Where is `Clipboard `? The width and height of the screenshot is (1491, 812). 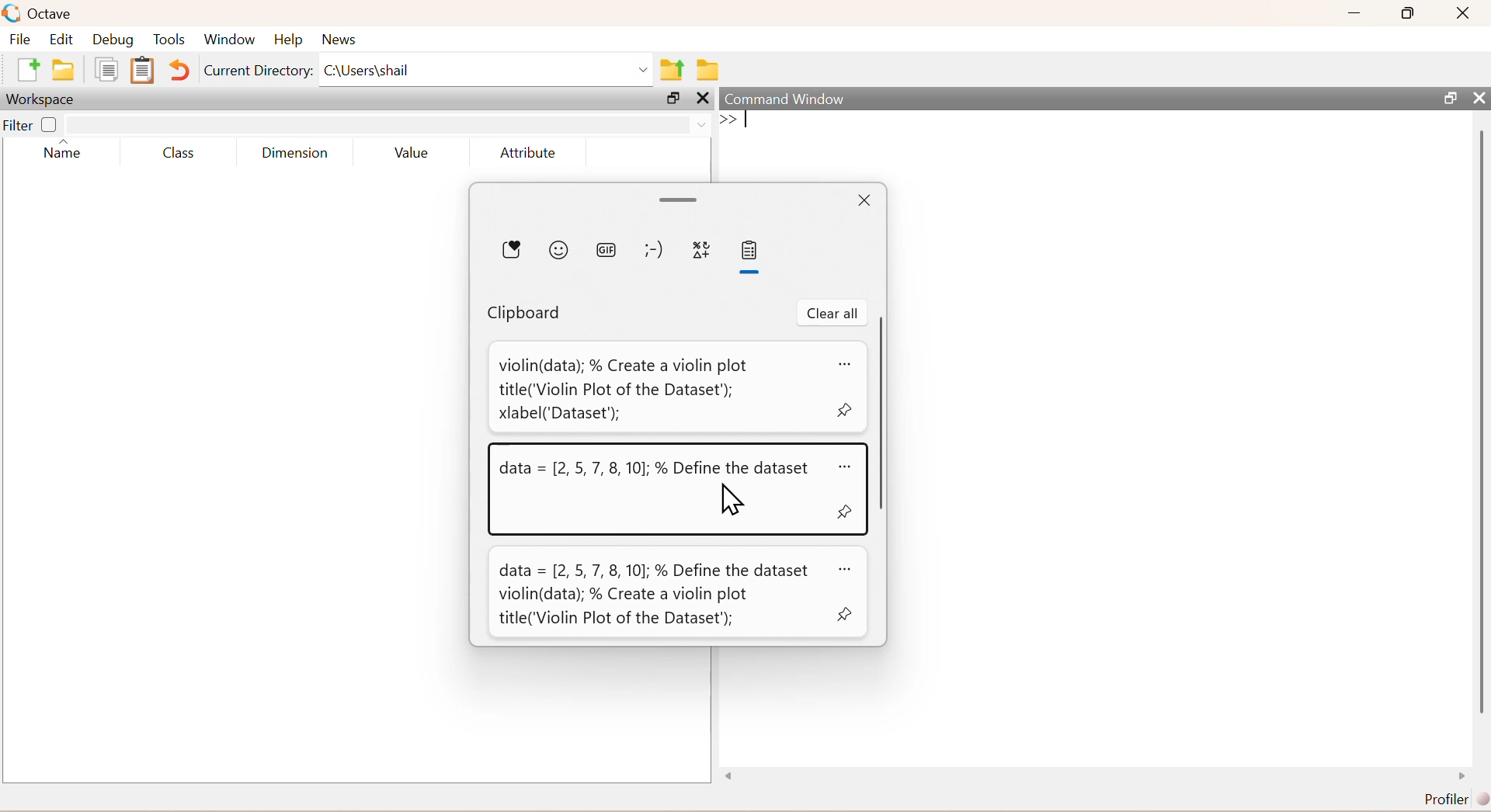
Clipboard  is located at coordinates (749, 251).